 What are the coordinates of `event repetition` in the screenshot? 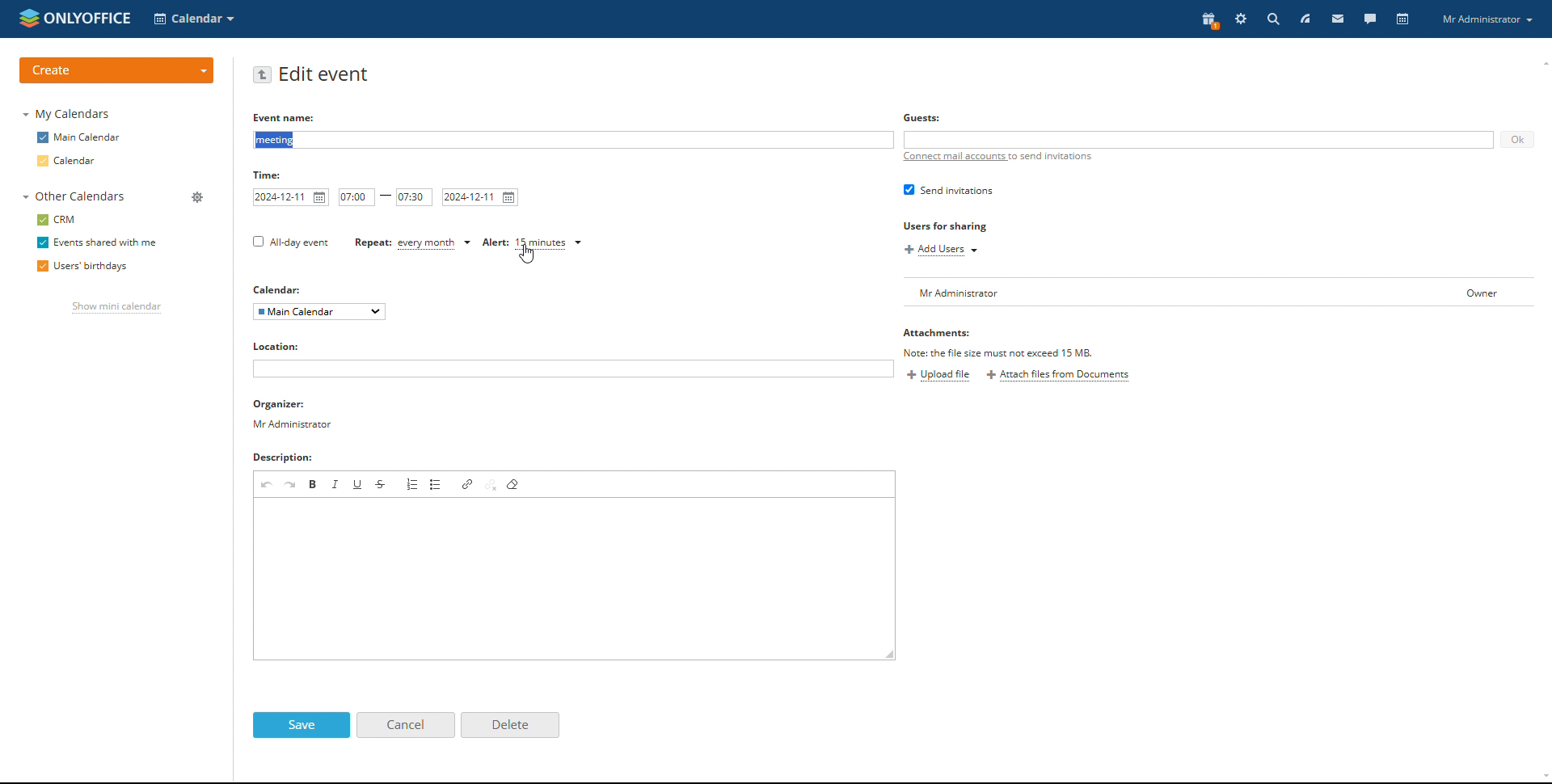 It's located at (414, 244).